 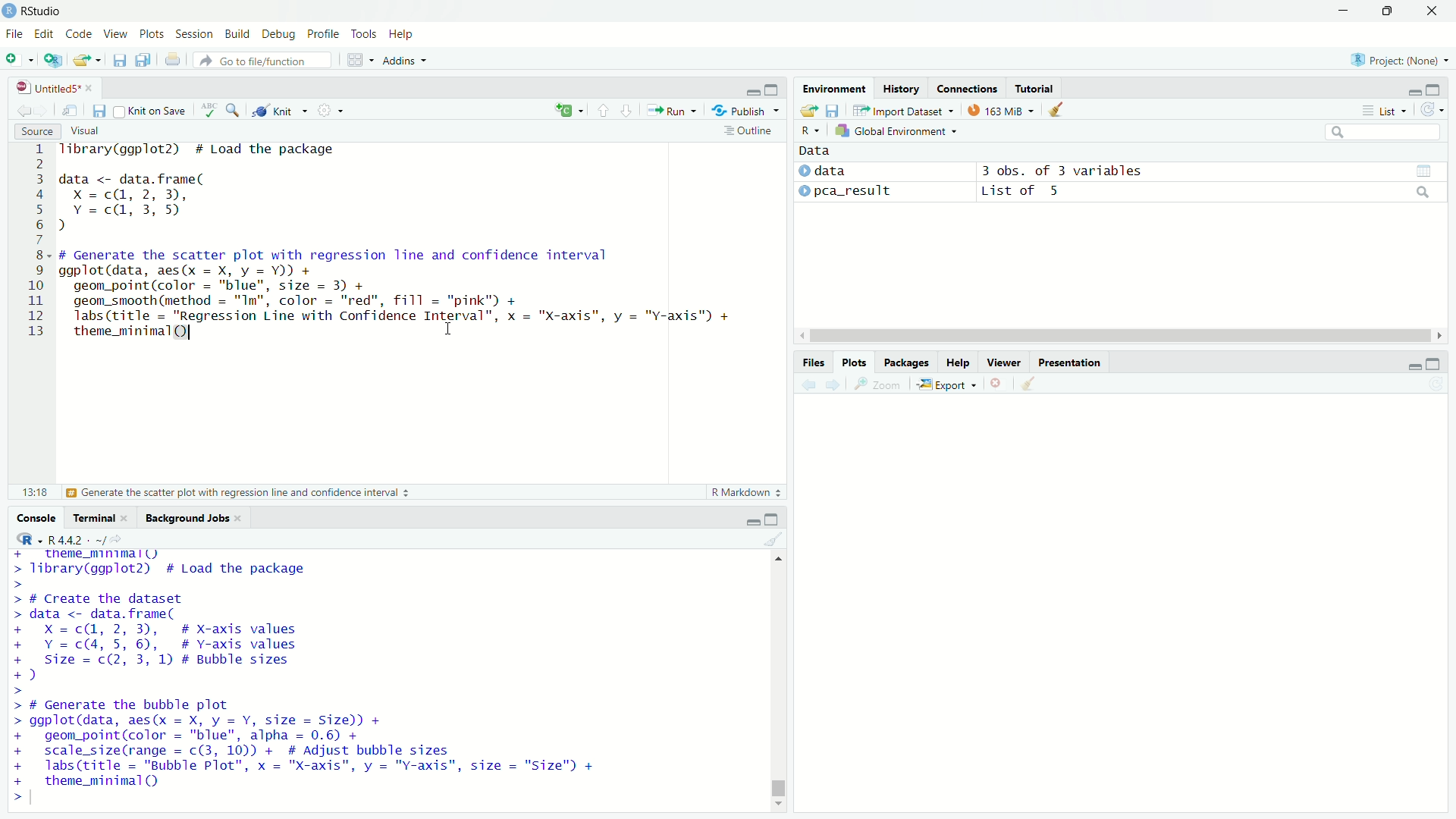 What do you see at coordinates (36, 131) in the screenshot?
I see `Source` at bounding box center [36, 131].